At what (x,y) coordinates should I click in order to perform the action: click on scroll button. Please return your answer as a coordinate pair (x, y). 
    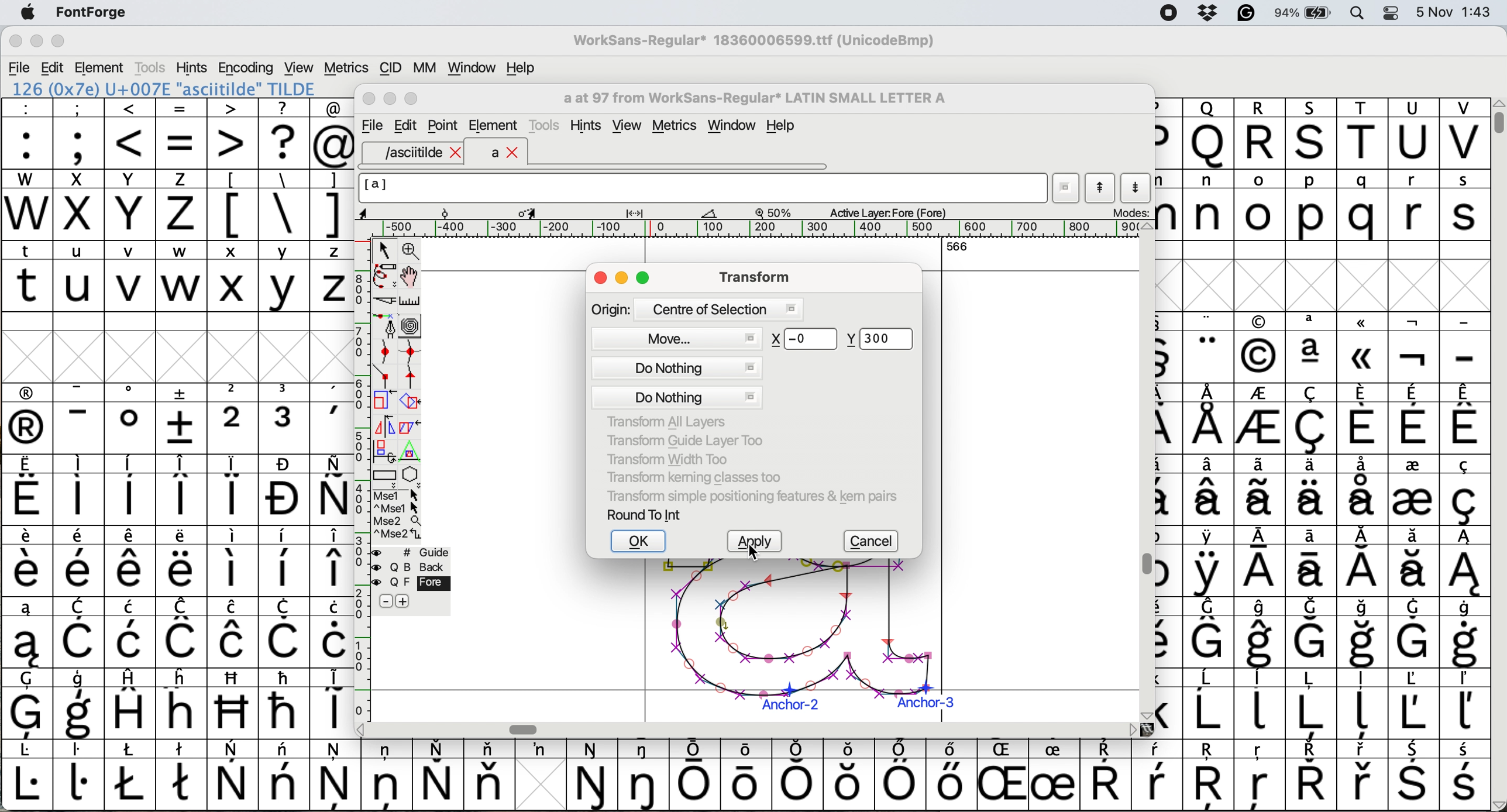
    Looking at the image, I should click on (1147, 227).